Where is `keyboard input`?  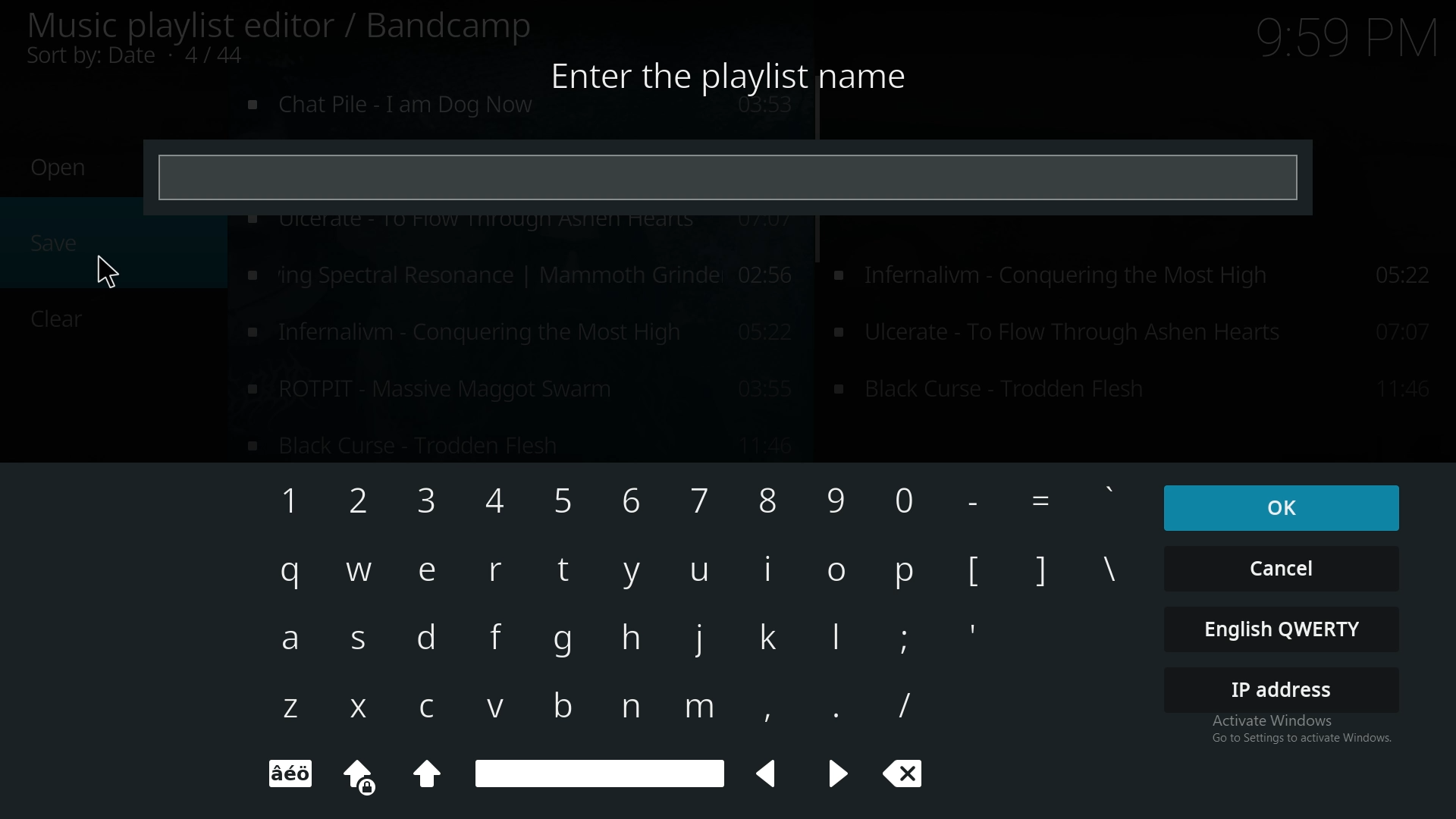
keyboard input is located at coordinates (976, 573).